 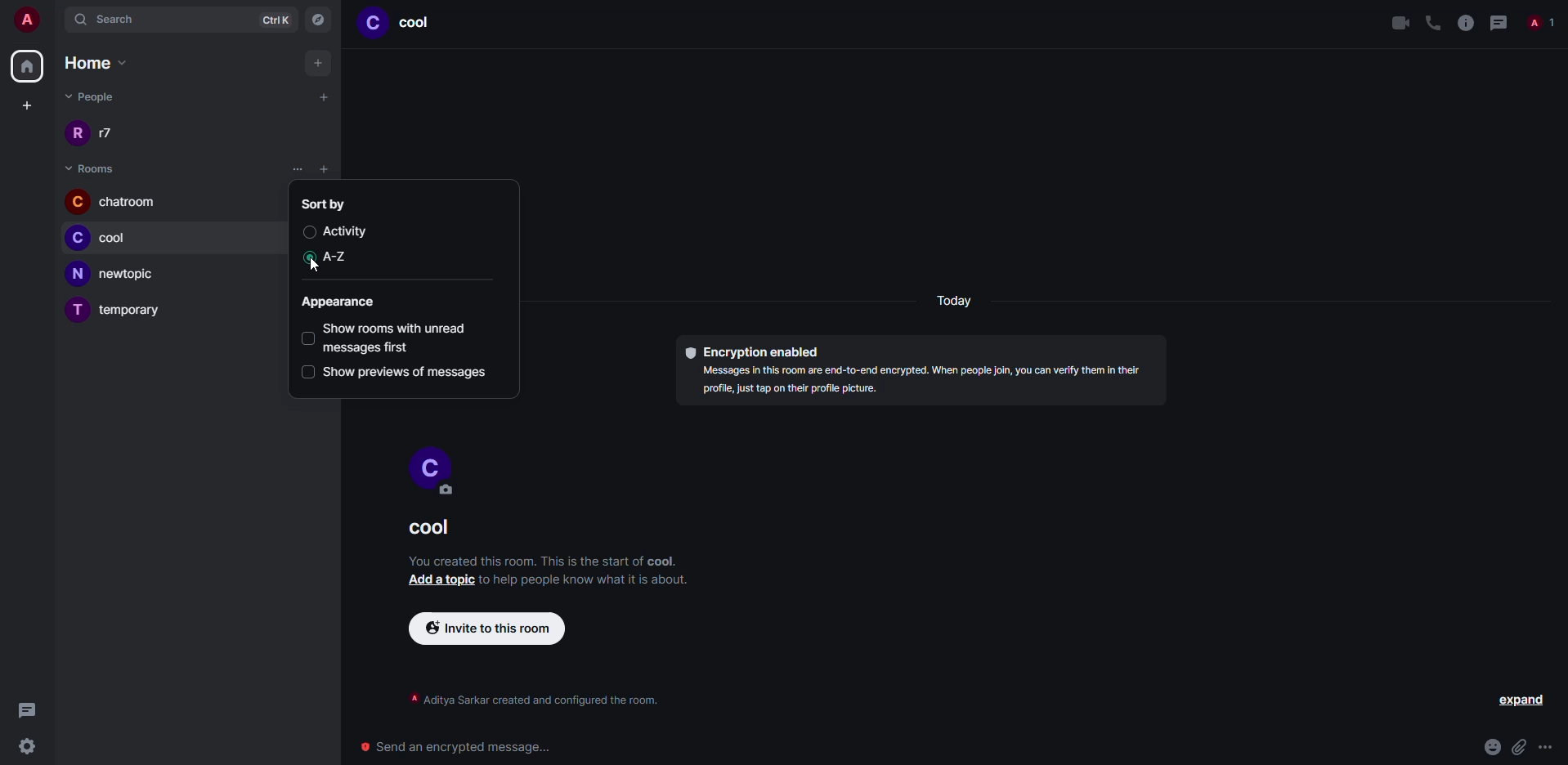 What do you see at coordinates (92, 168) in the screenshot?
I see `rooms` at bounding box center [92, 168].